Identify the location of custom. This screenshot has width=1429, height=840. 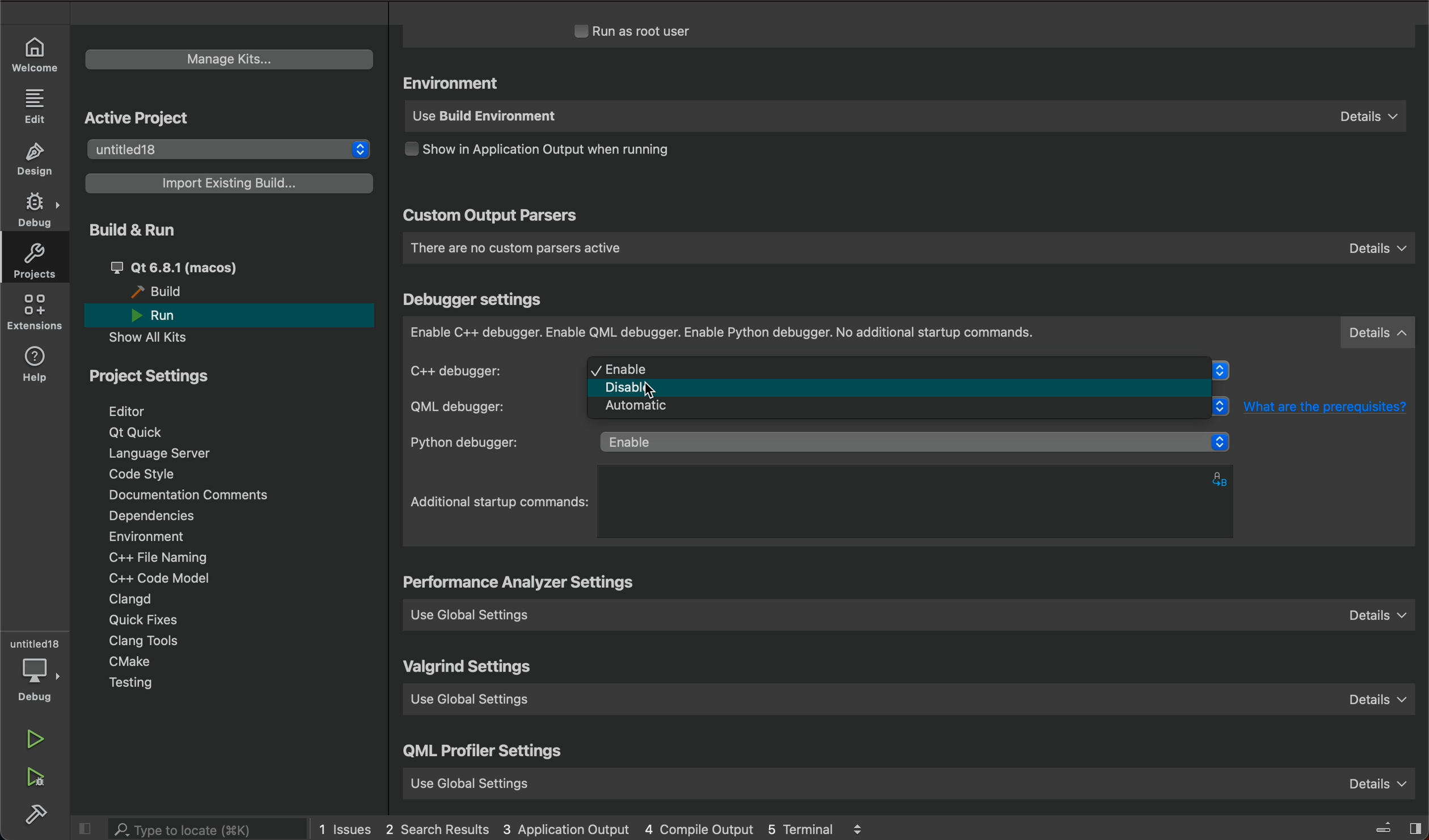
(490, 217).